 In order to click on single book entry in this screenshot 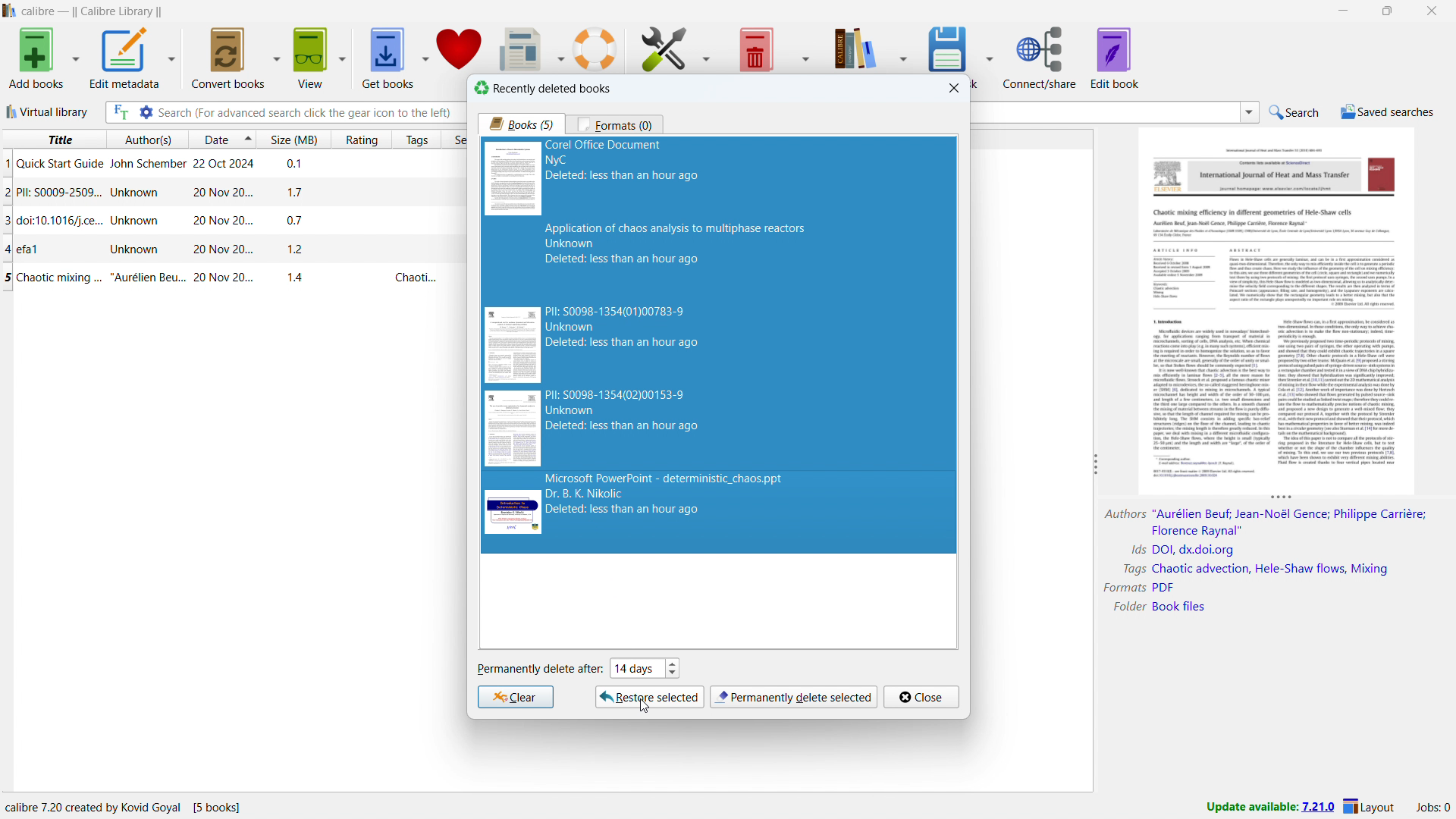, I will do `click(227, 221)`.